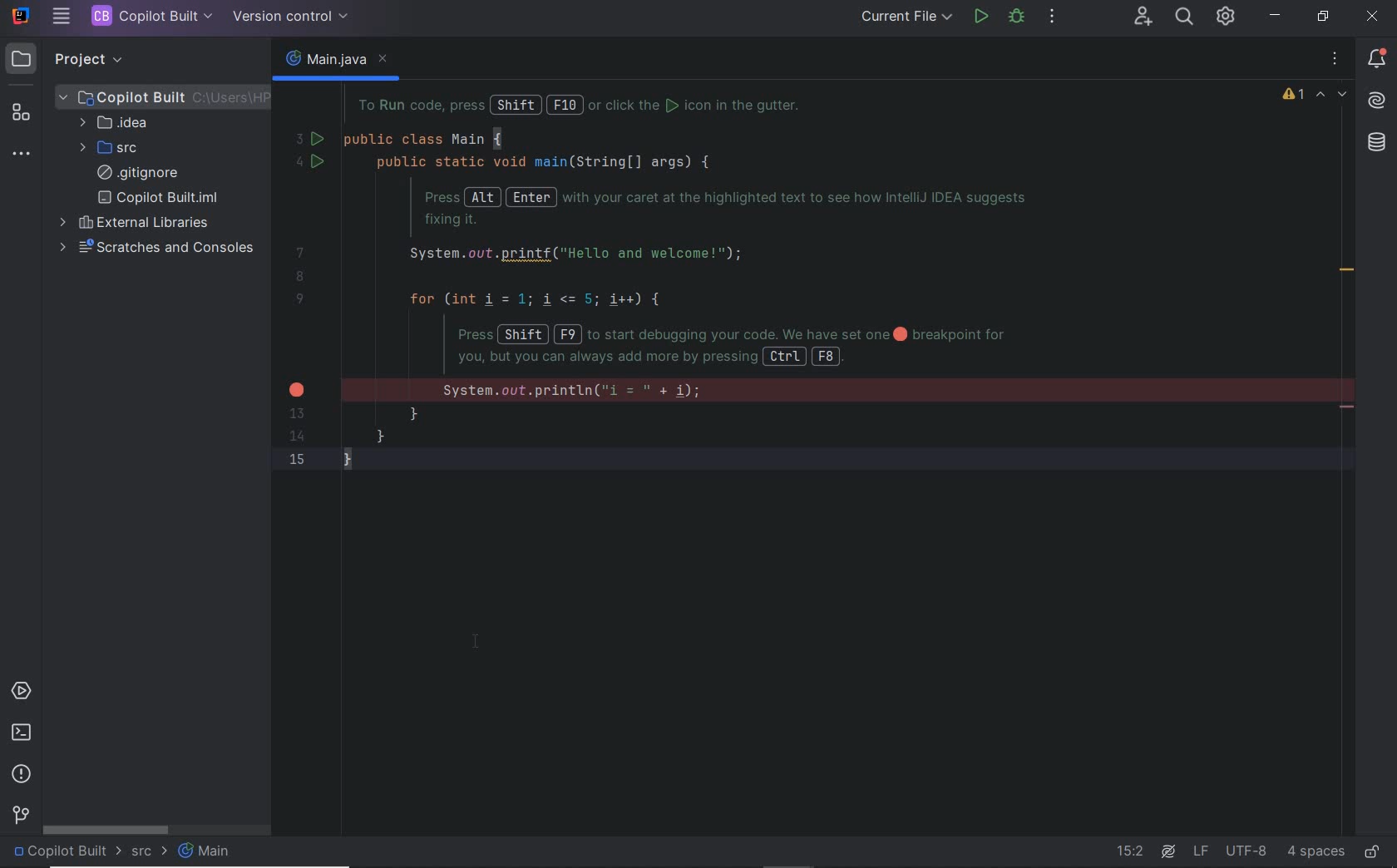 The width and height of the screenshot is (1397, 868). I want to click on 14, so click(298, 436).